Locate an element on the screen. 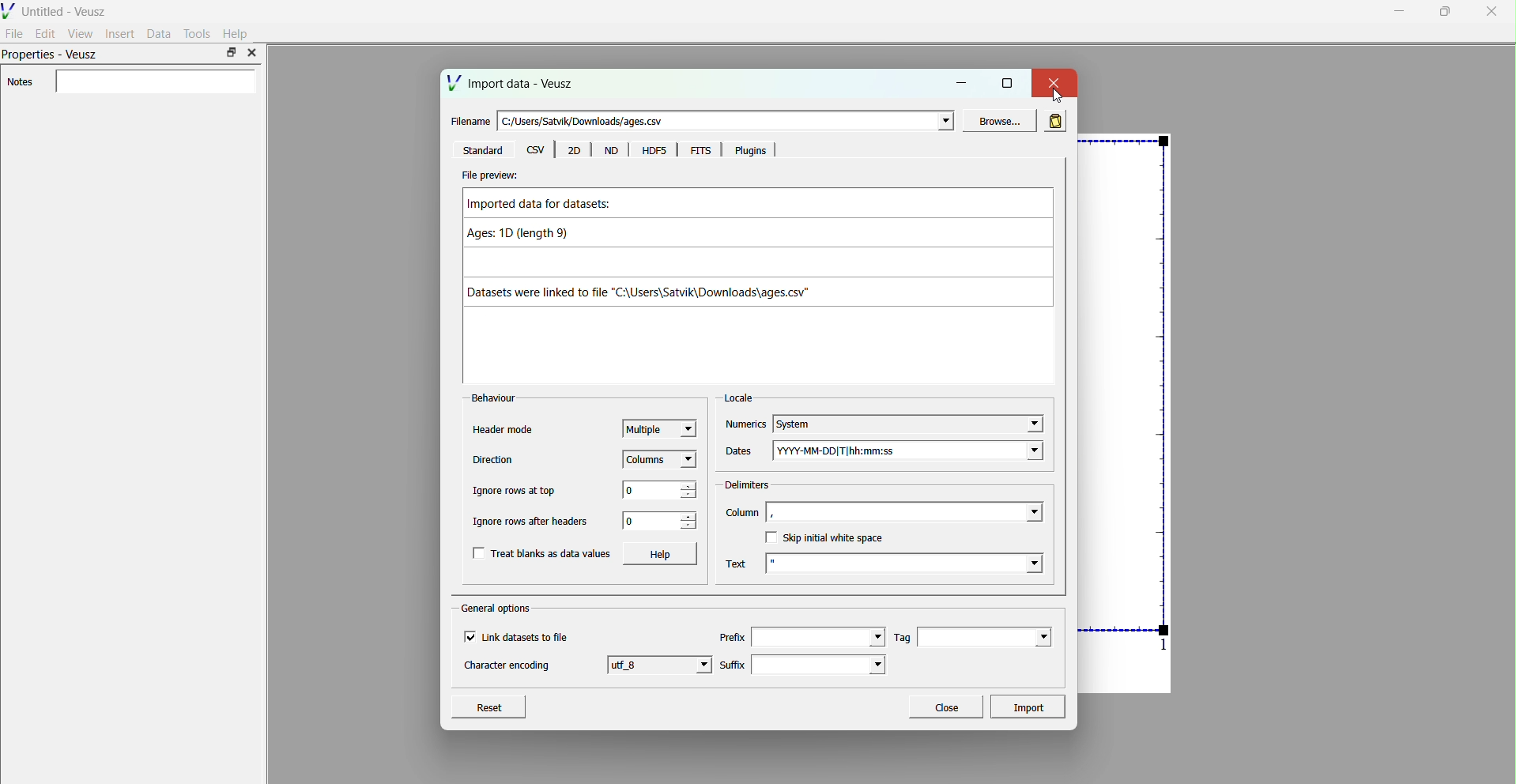 The height and width of the screenshot is (784, 1516). 0 is located at coordinates (648, 522).